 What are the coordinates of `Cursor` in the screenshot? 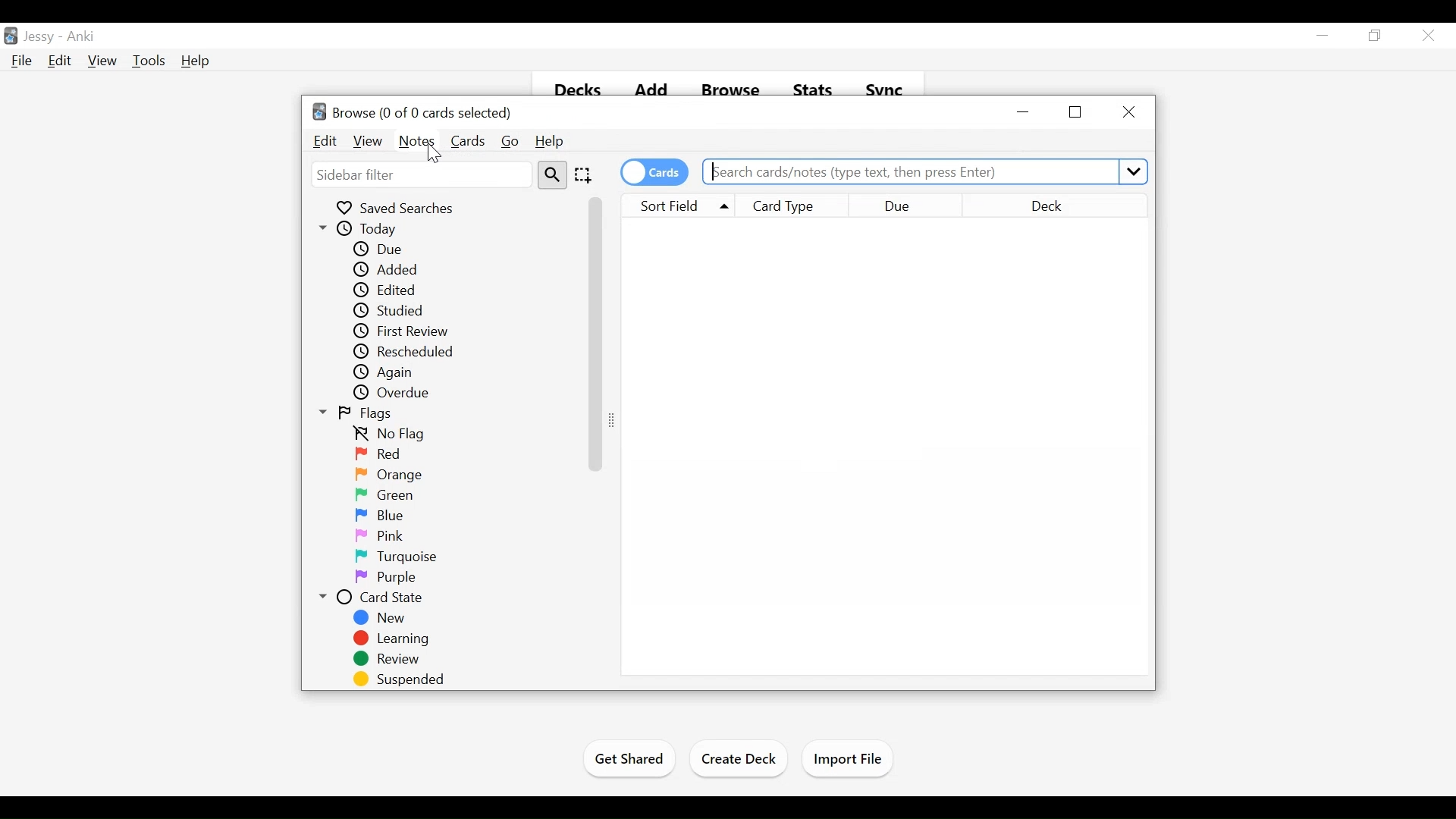 It's located at (436, 154).